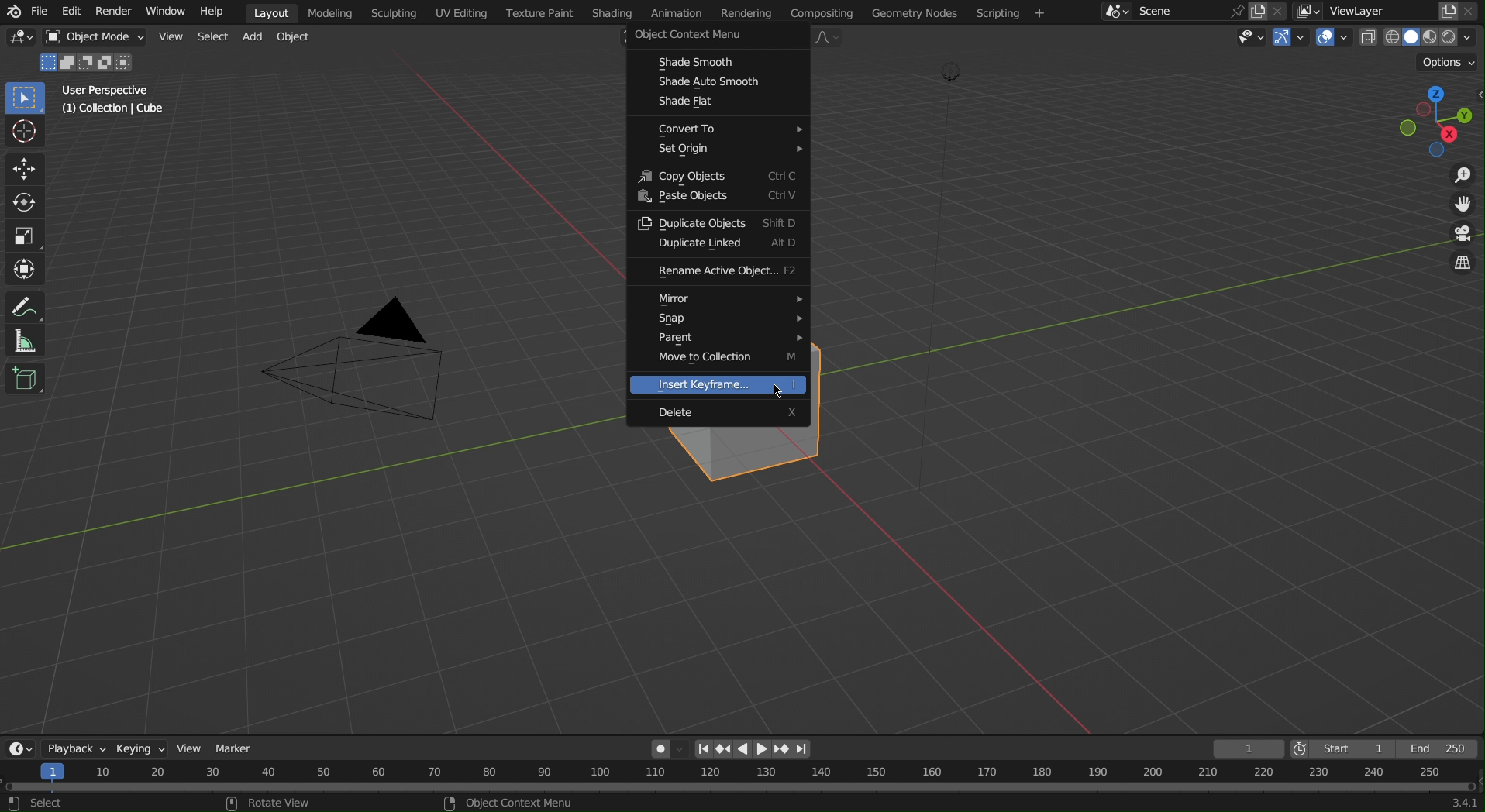 This screenshot has height=812, width=1485. Describe the element at coordinates (719, 150) in the screenshot. I see `Set Origin` at that location.